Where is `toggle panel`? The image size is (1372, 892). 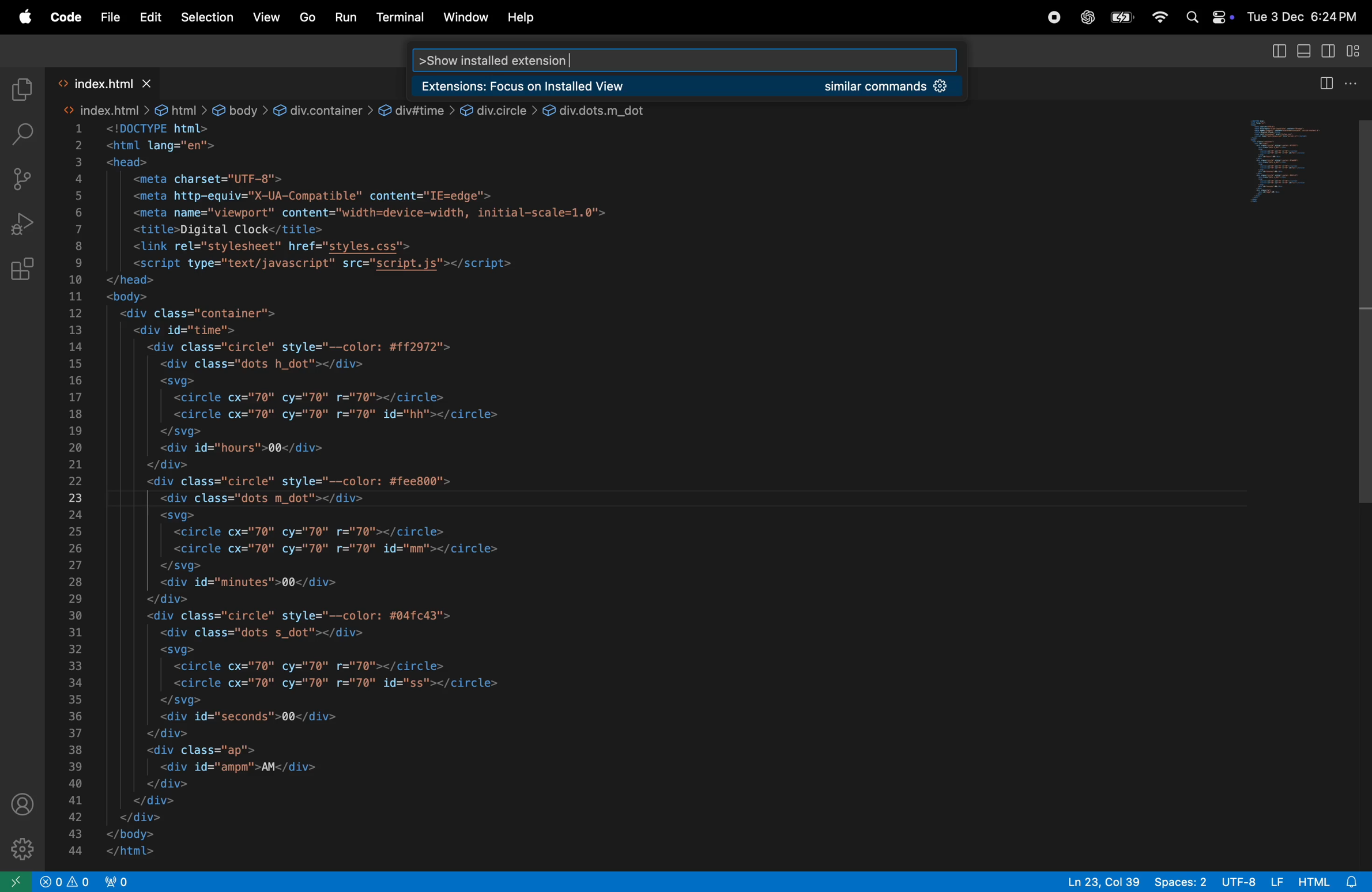 toggle panel is located at coordinates (1305, 51).